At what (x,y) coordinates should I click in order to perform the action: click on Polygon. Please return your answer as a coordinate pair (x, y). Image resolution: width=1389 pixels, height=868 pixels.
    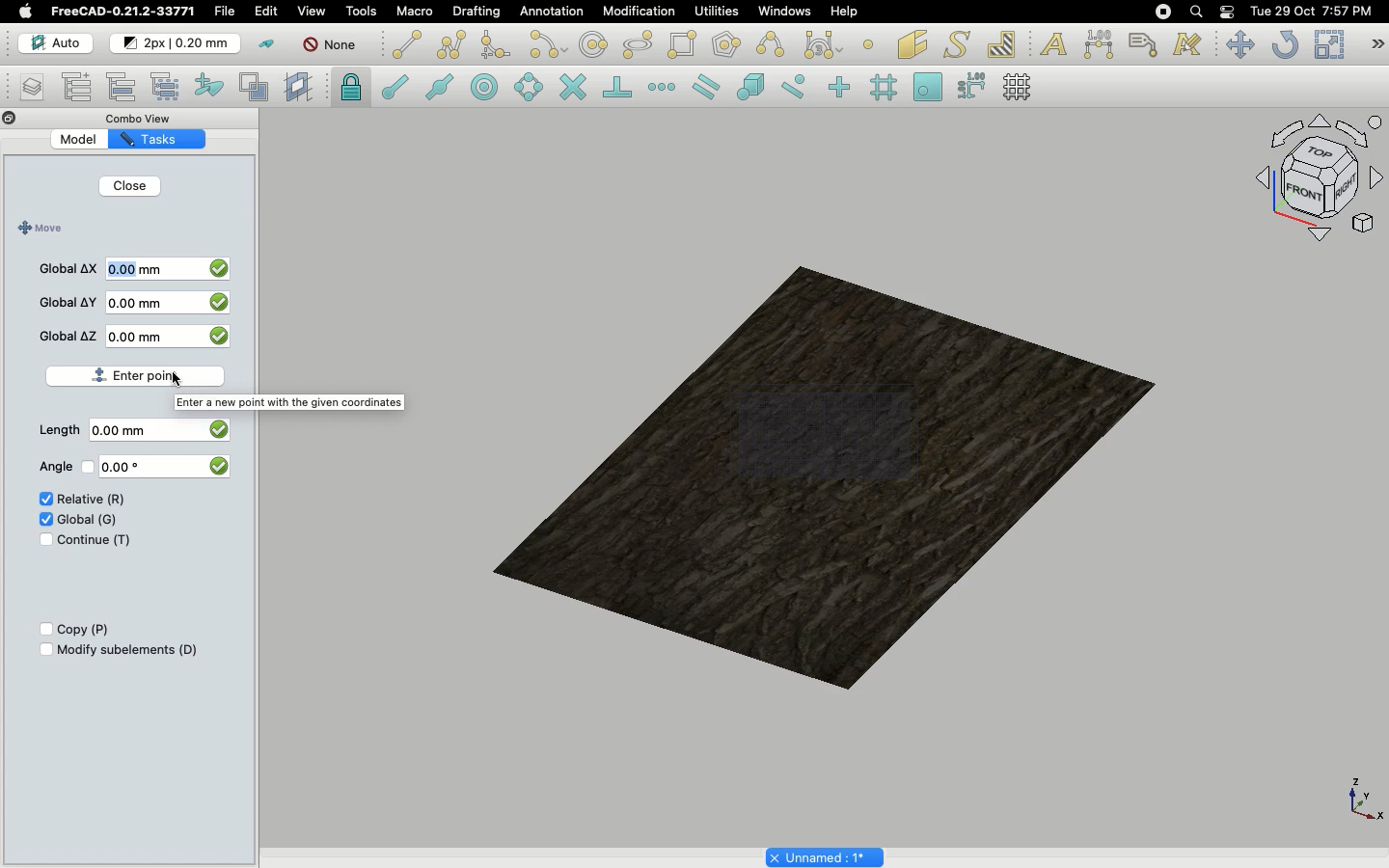
    Looking at the image, I should click on (728, 47).